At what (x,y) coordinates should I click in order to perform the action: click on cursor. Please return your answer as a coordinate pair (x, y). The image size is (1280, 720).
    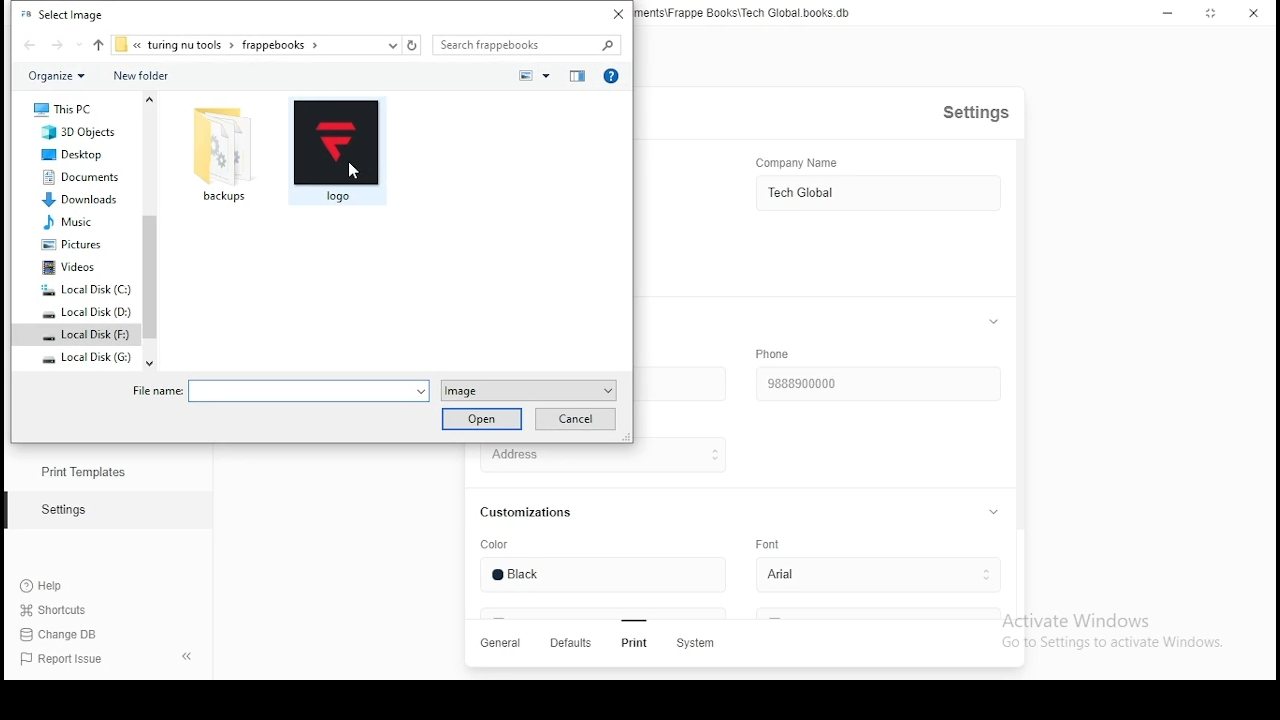
    Looking at the image, I should click on (355, 173).